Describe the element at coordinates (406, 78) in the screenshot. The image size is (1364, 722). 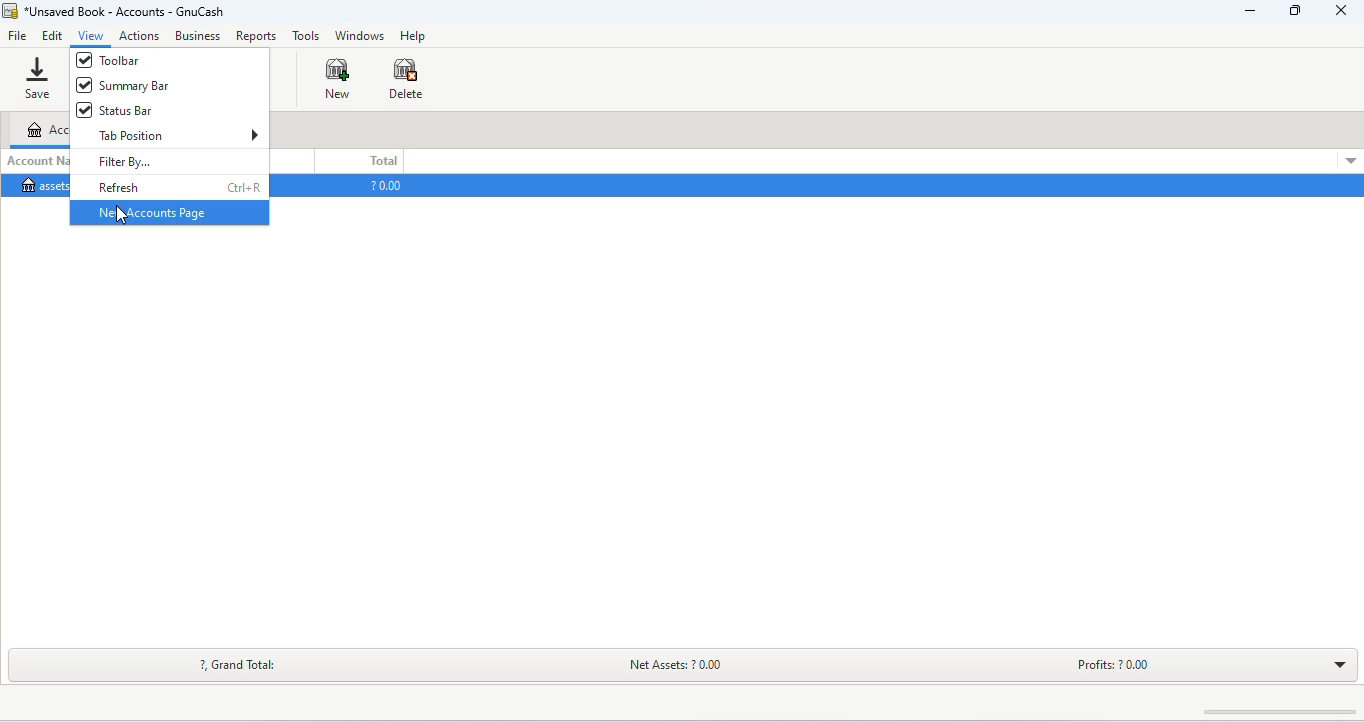
I see `delete` at that location.